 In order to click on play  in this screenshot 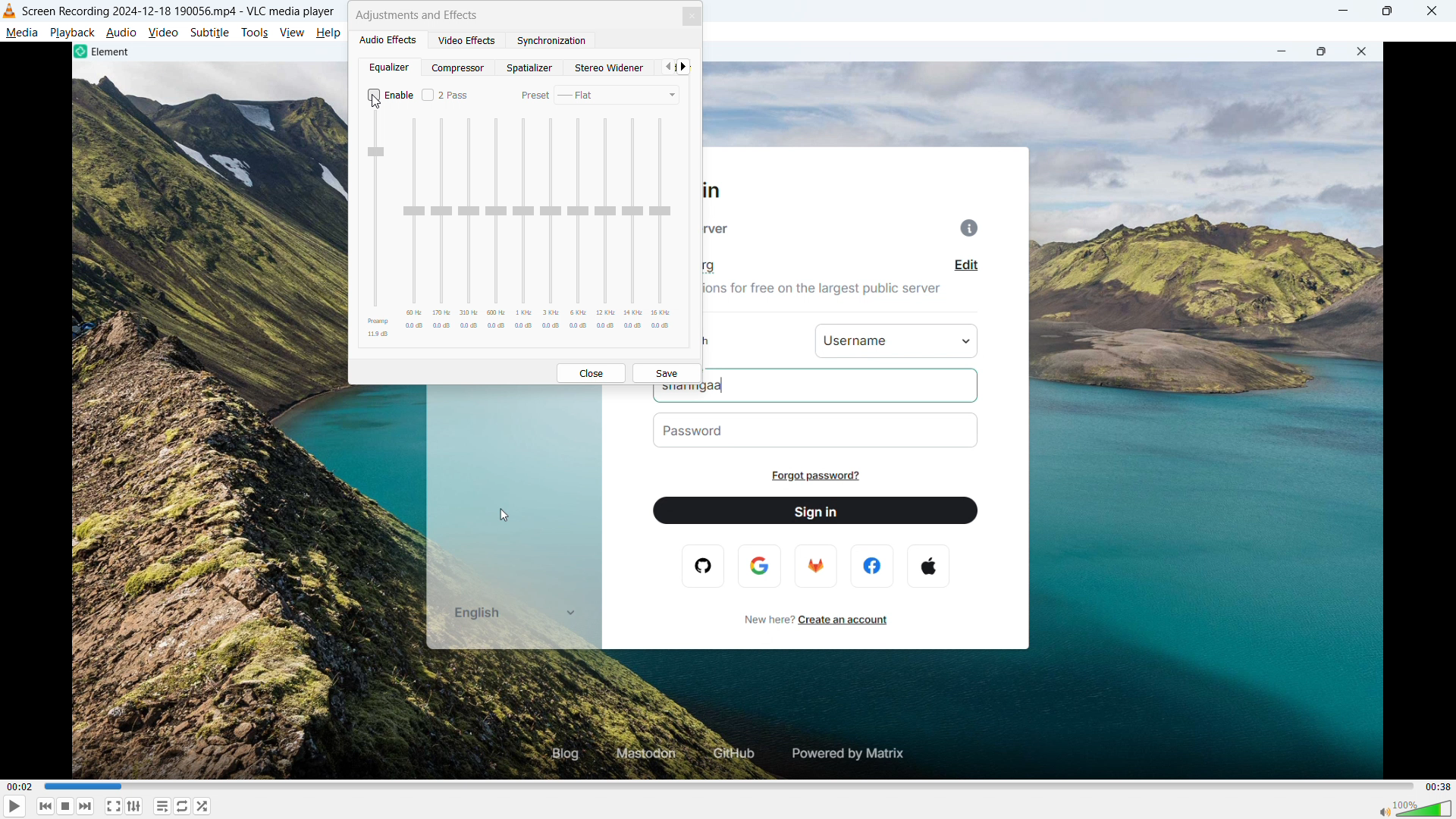, I will do `click(15, 806)`.